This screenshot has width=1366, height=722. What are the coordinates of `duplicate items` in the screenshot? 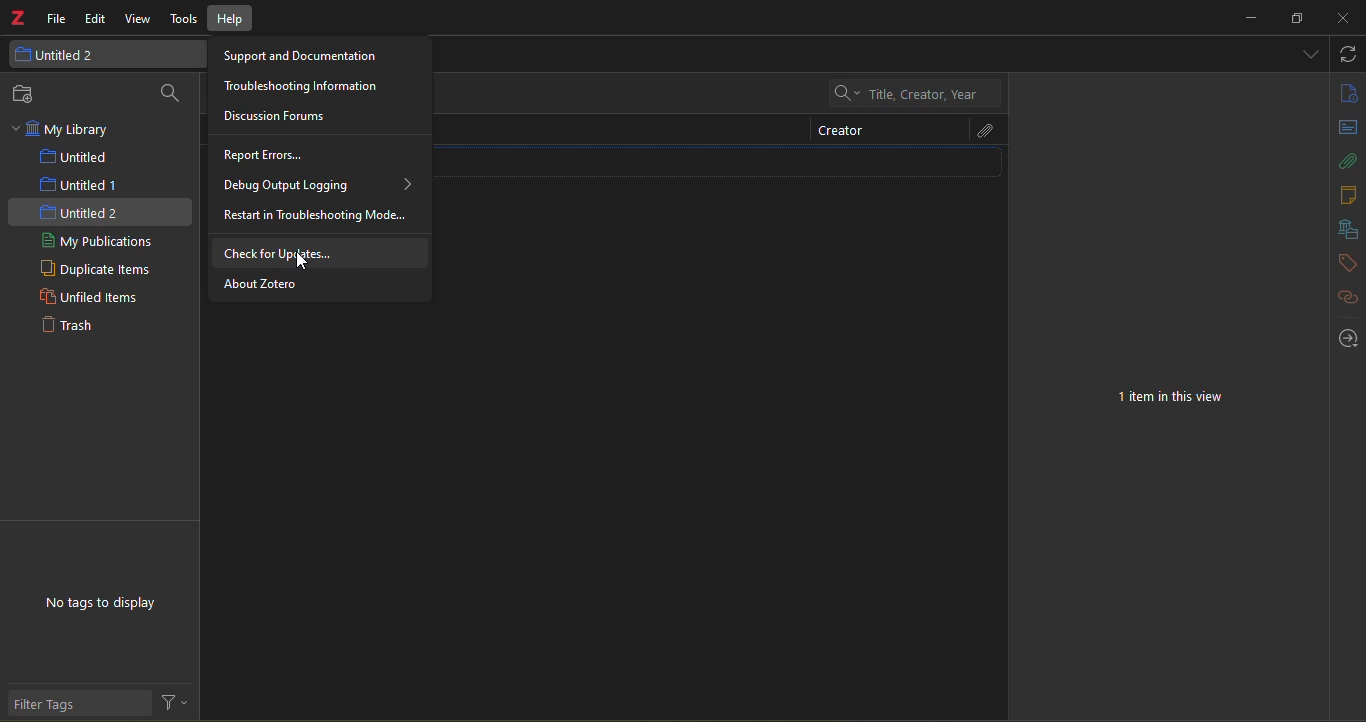 It's located at (95, 270).